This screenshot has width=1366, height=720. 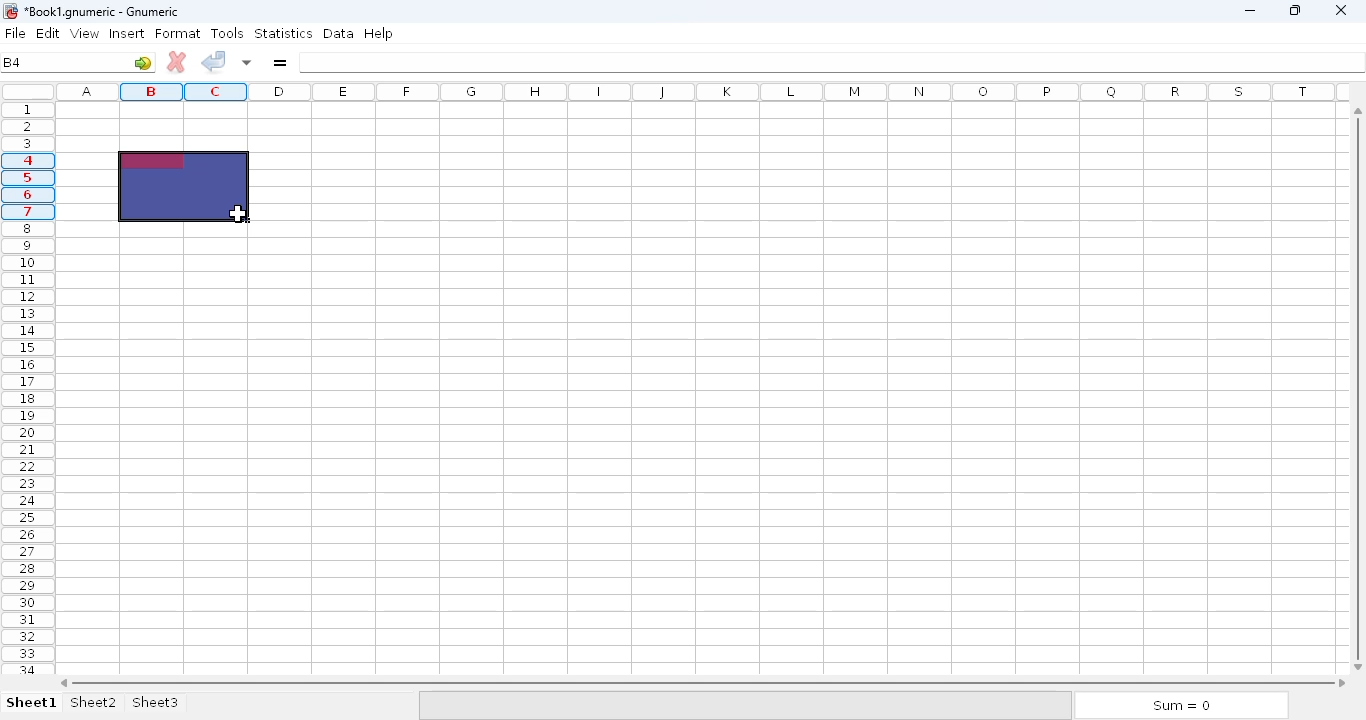 What do you see at coordinates (237, 213) in the screenshot?
I see `mouse up` at bounding box center [237, 213].